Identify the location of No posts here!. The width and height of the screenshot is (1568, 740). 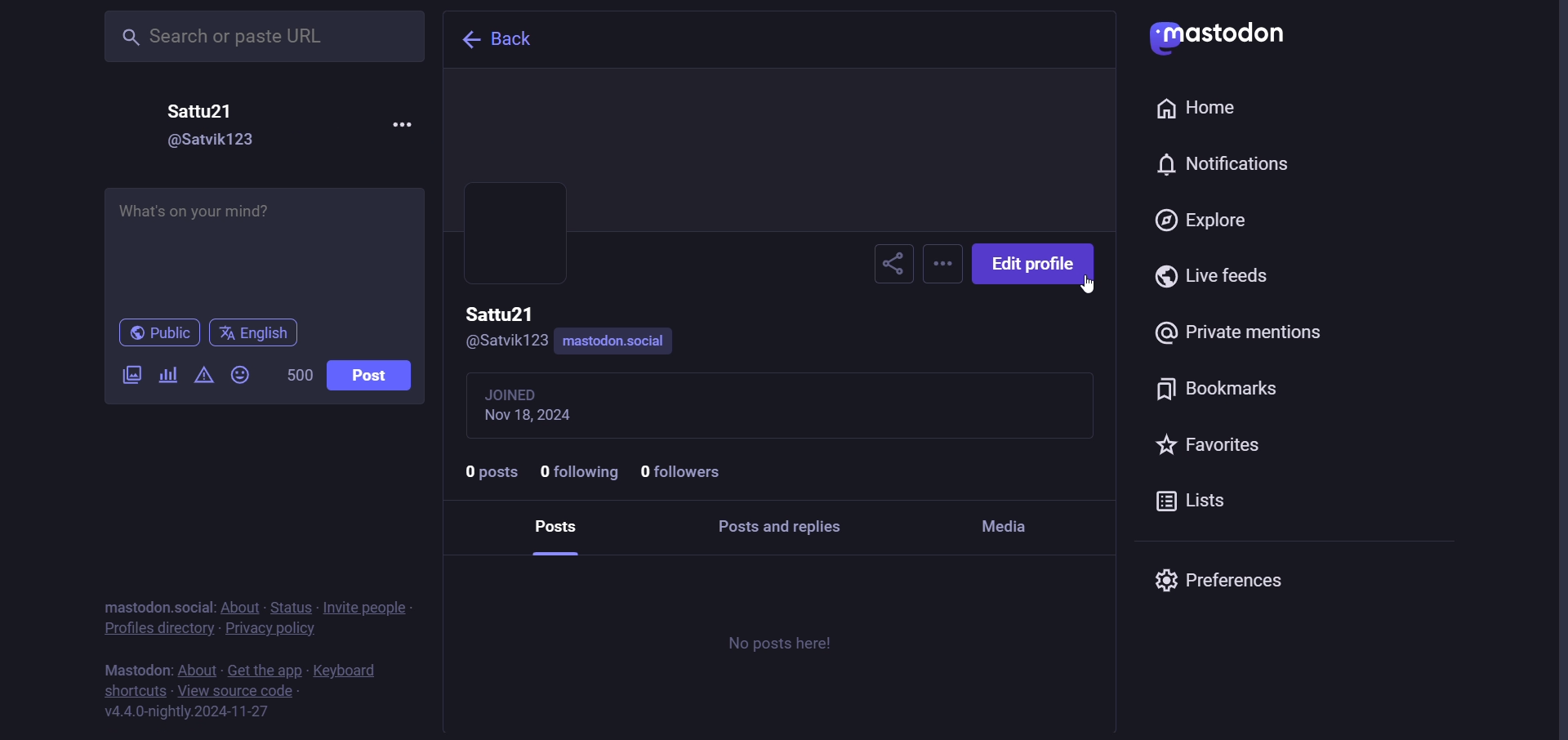
(781, 644).